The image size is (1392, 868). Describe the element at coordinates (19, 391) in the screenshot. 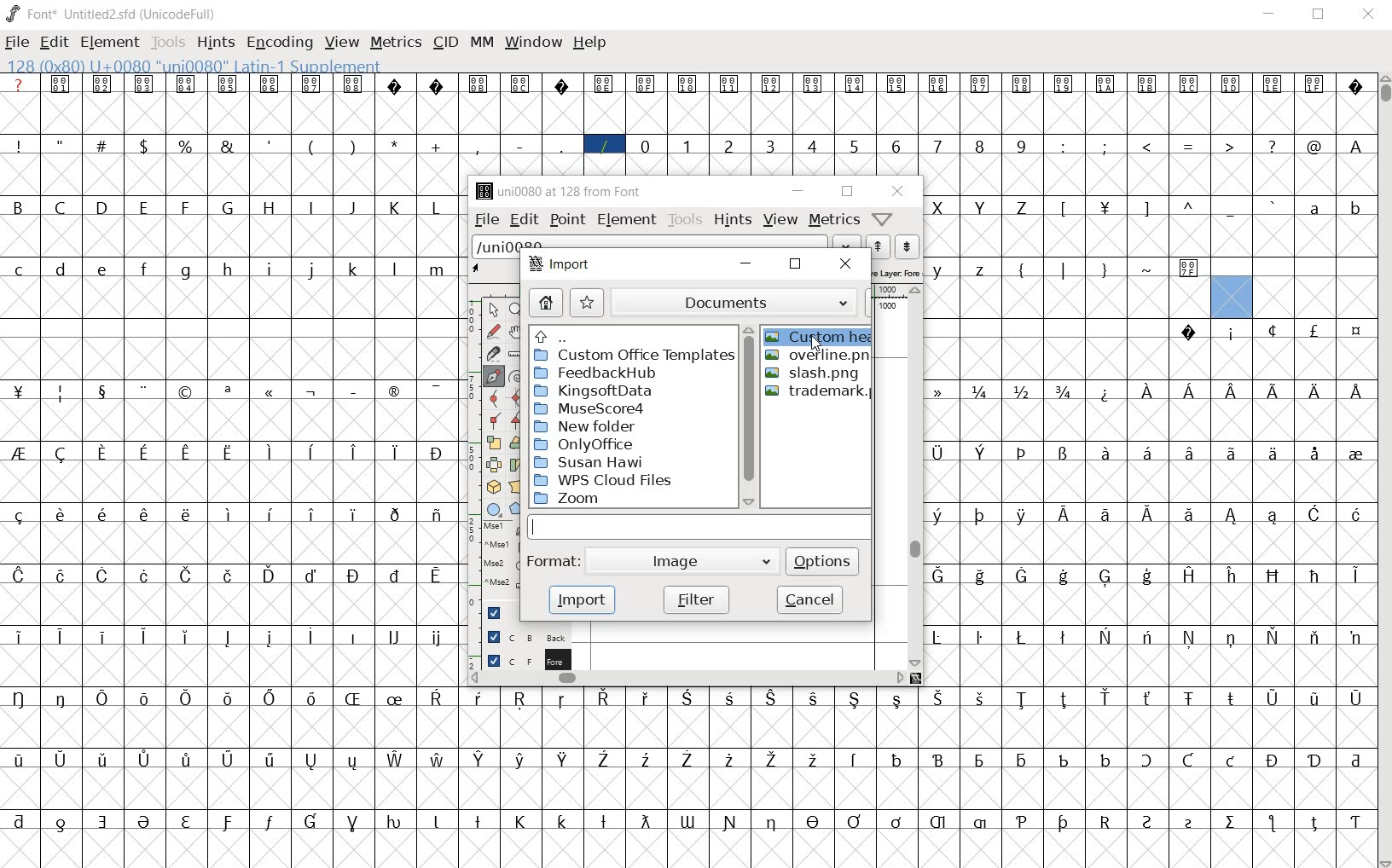

I see `glyph` at that location.